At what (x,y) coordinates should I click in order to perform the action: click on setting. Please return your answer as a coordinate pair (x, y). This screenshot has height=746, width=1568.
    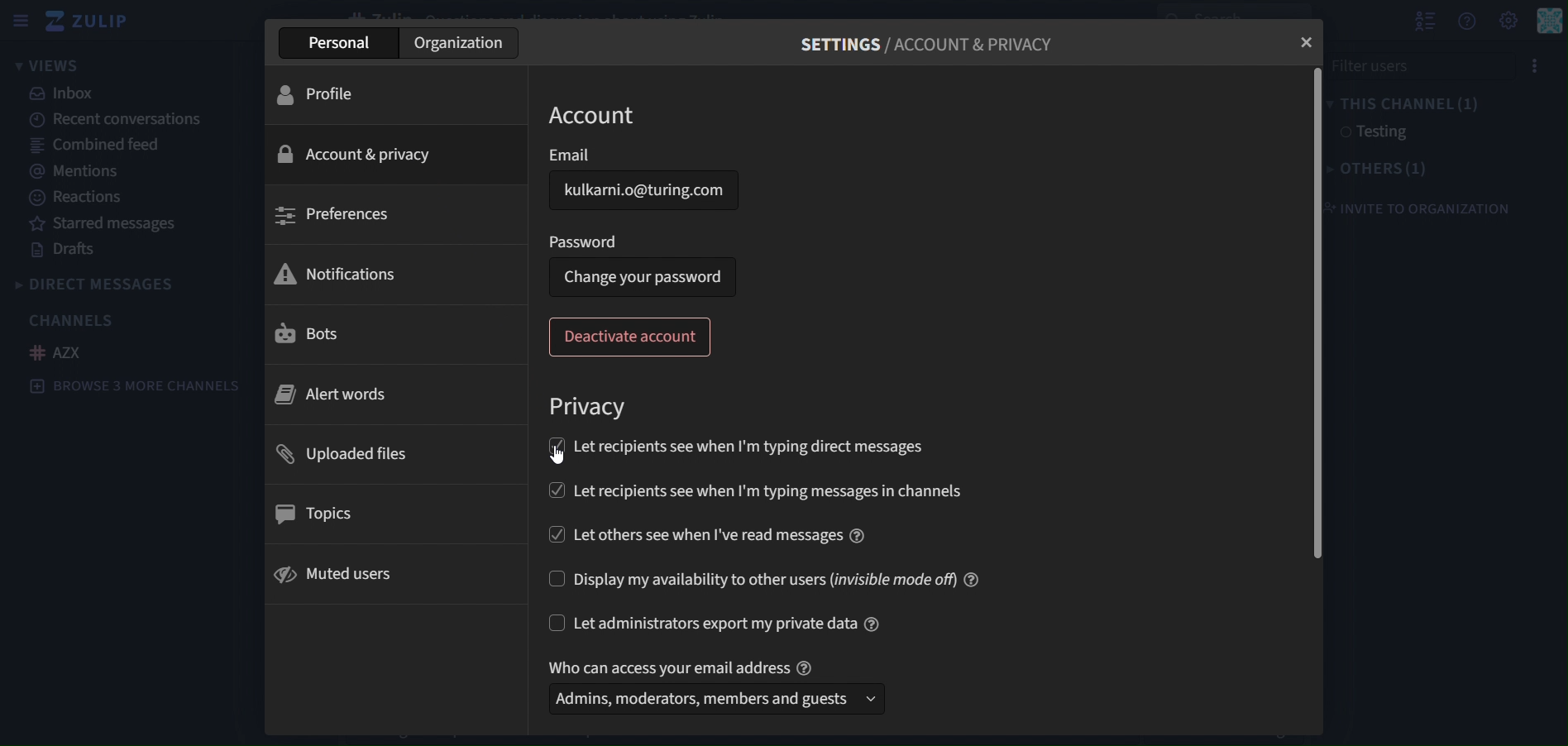
    Looking at the image, I should click on (1508, 20).